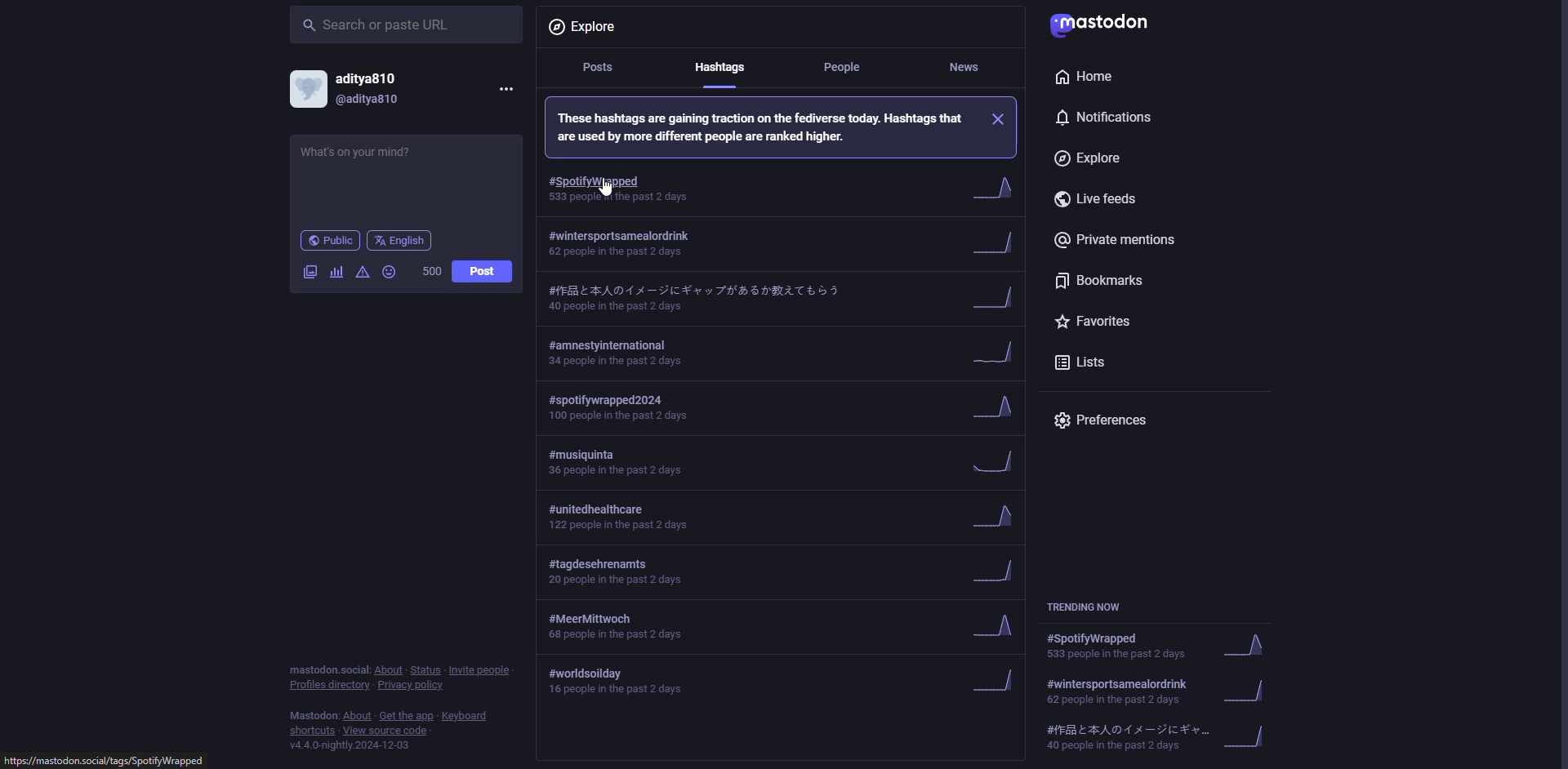  I want to click on post, so click(481, 270).